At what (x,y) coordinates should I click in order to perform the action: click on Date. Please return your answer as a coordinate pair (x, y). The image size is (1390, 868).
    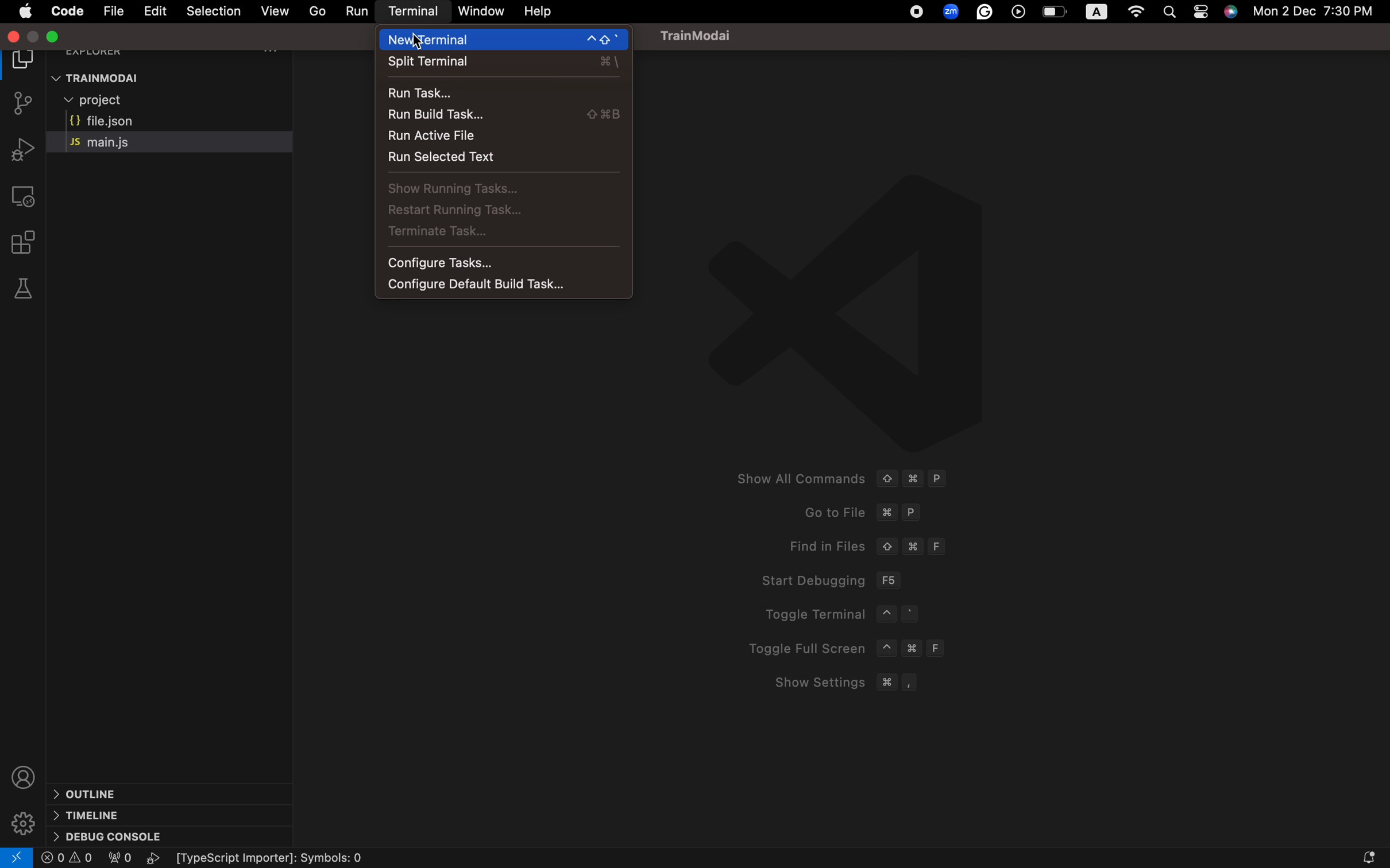
    Looking at the image, I should click on (1322, 14).